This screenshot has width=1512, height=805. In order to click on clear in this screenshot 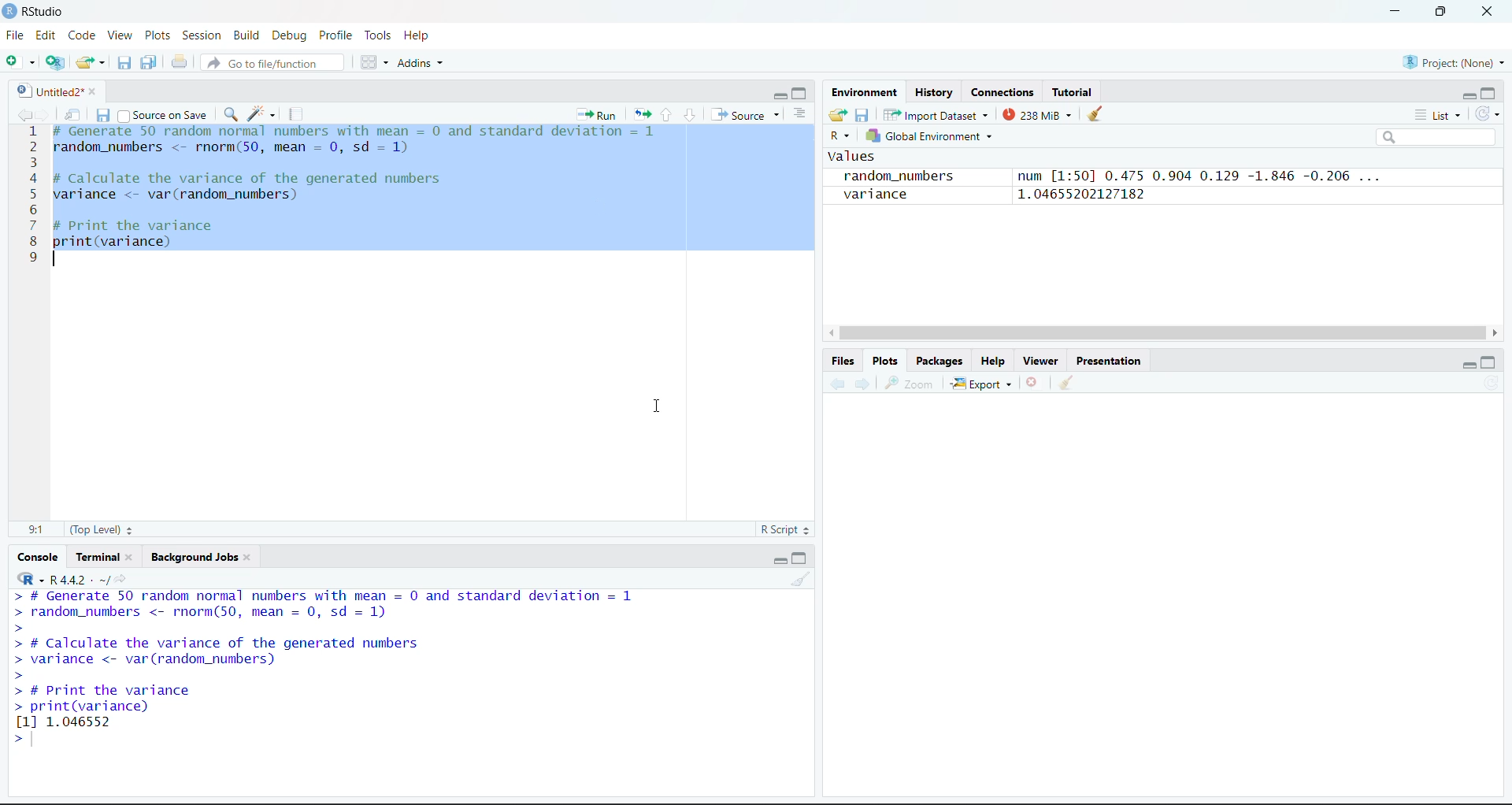, I will do `click(1095, 113)`.